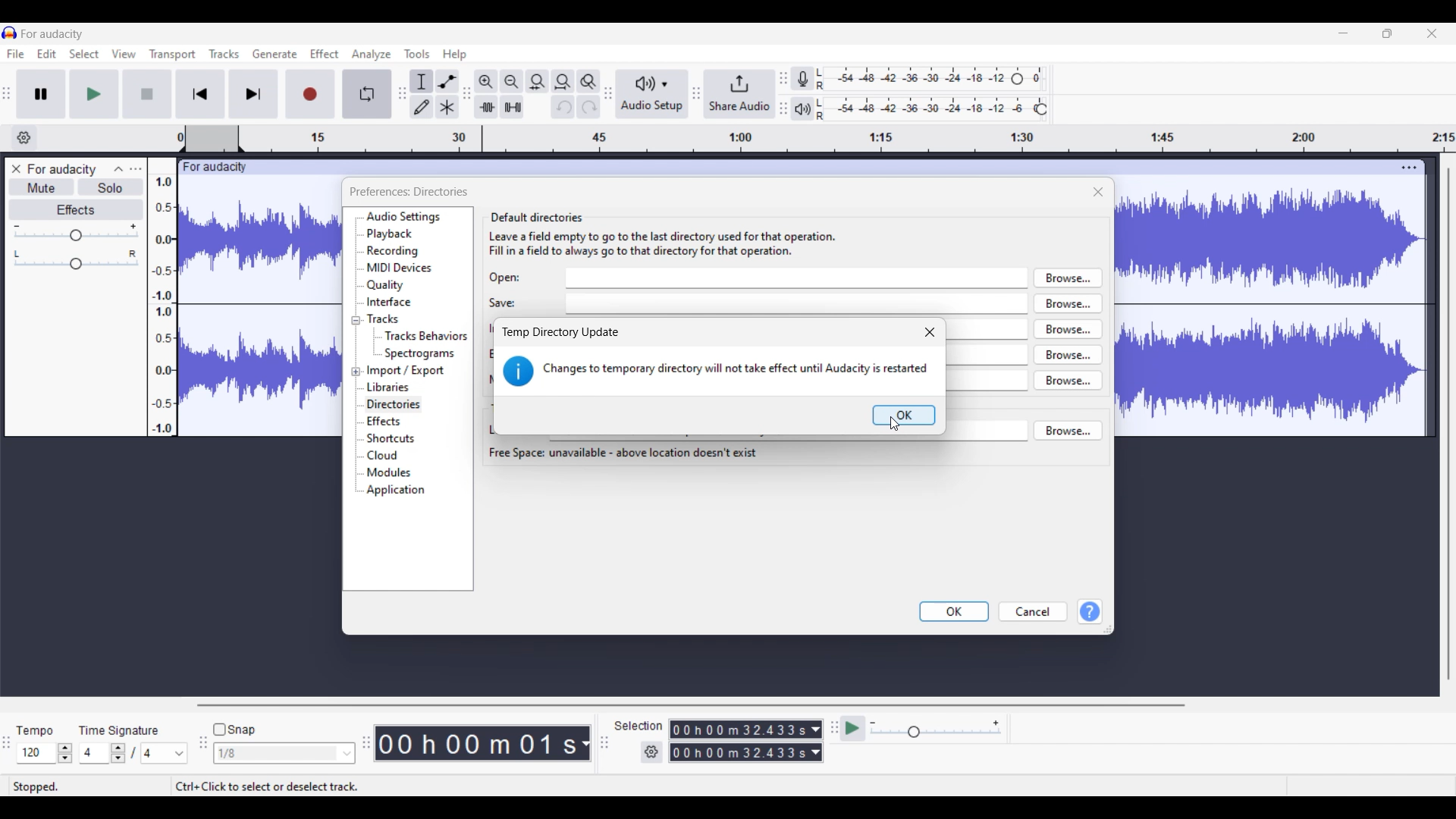 This screenshot has height=819, width=1456. Describe the element at coordinates (1017, 79) in the screenshot. I see `Header to change recording level` at that location.